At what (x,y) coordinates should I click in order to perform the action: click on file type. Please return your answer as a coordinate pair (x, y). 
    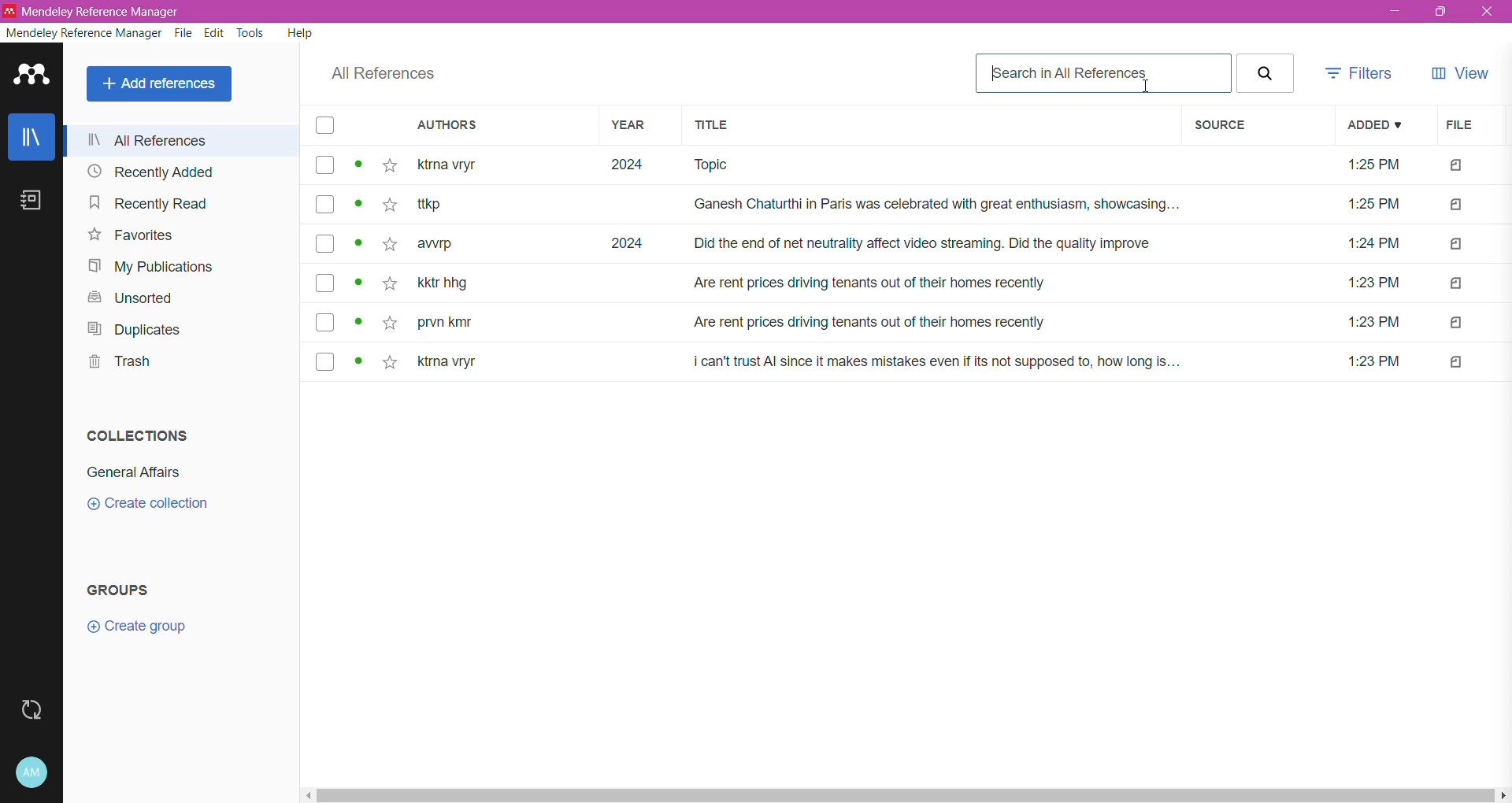
    Looking at the image, I should click on (1457, 363).